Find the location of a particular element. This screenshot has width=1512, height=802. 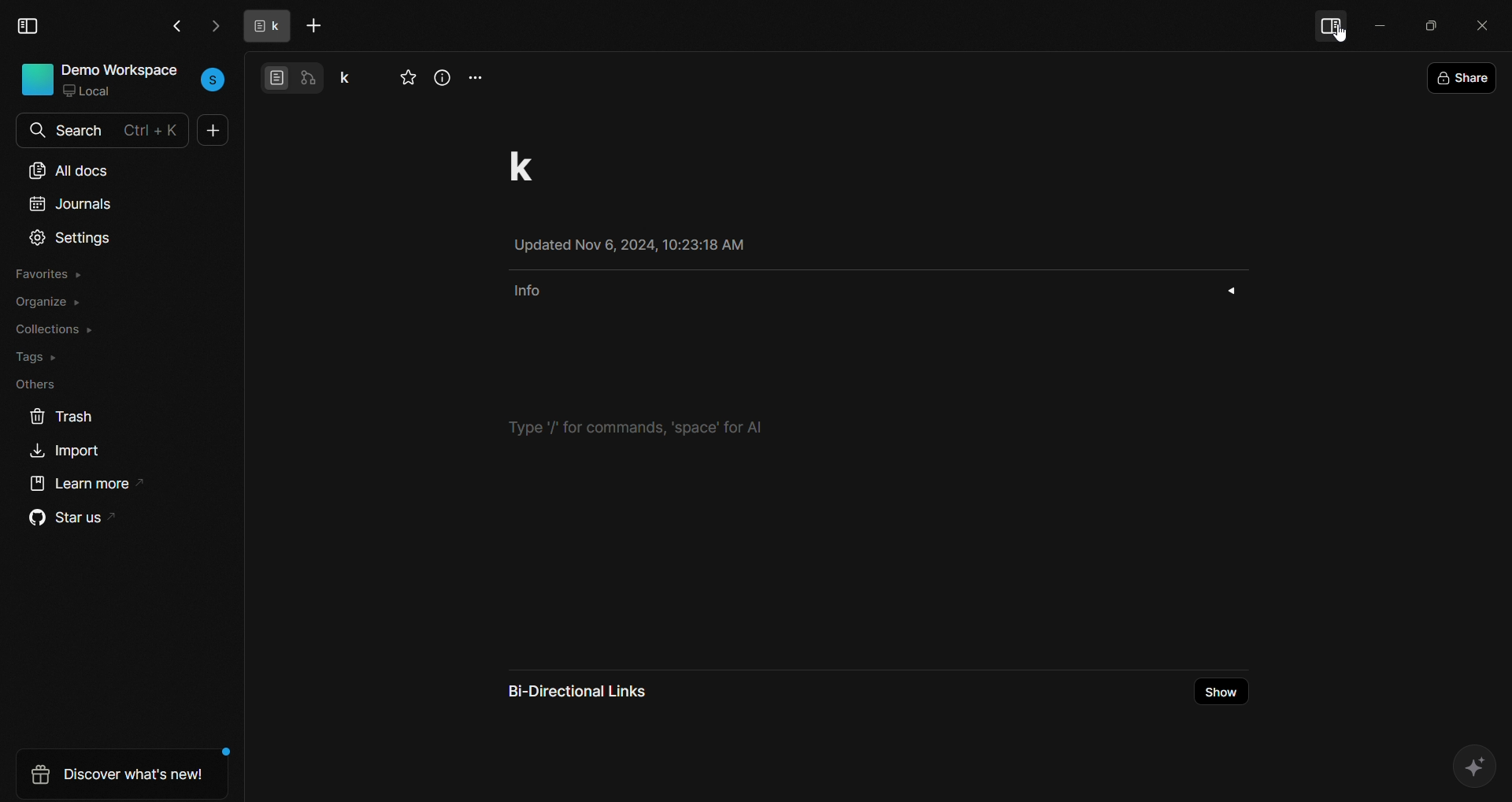

show is located at coordinates (1222, 692).